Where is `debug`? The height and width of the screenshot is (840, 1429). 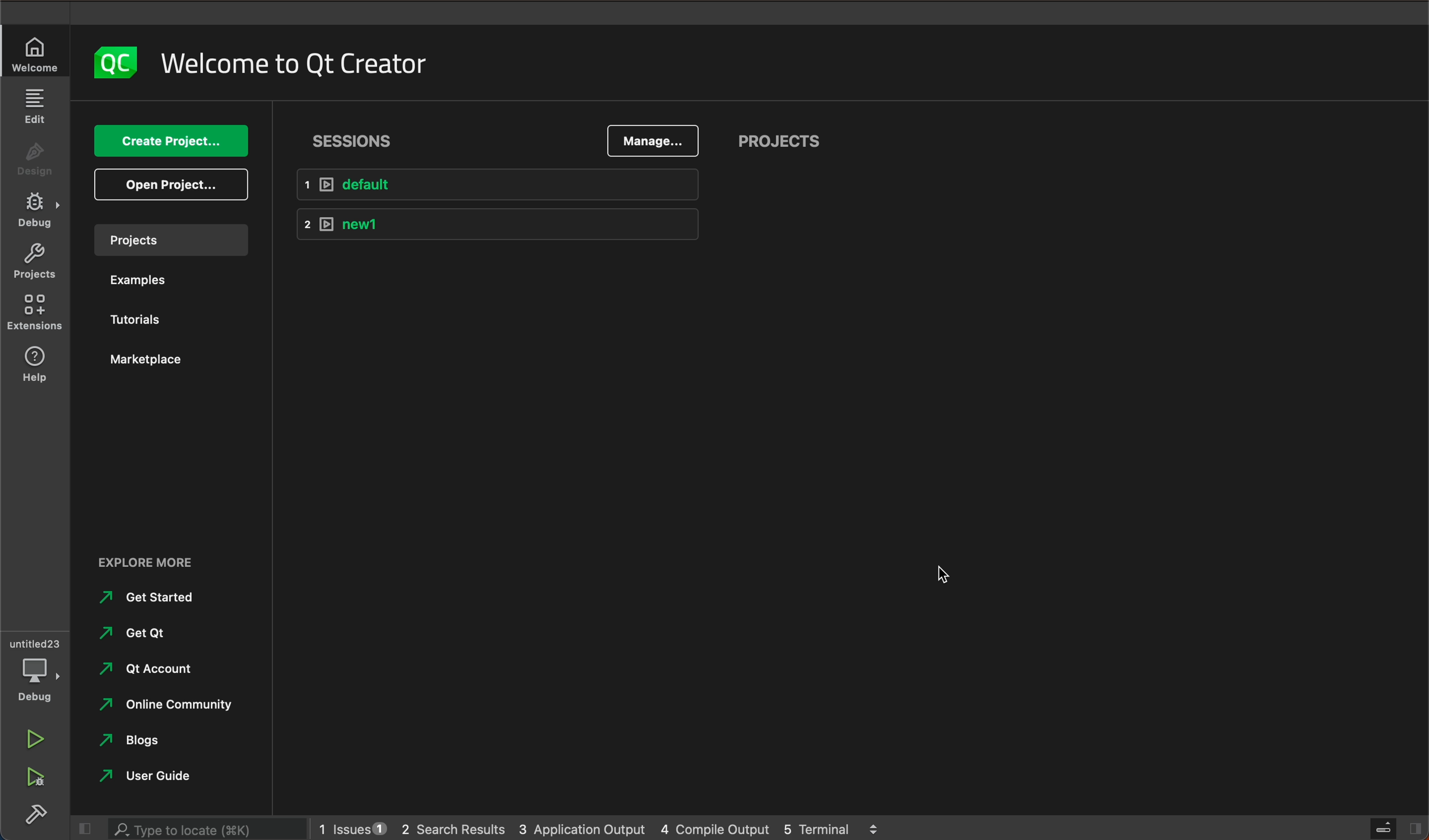 debug is located at coordinates (35, 665).